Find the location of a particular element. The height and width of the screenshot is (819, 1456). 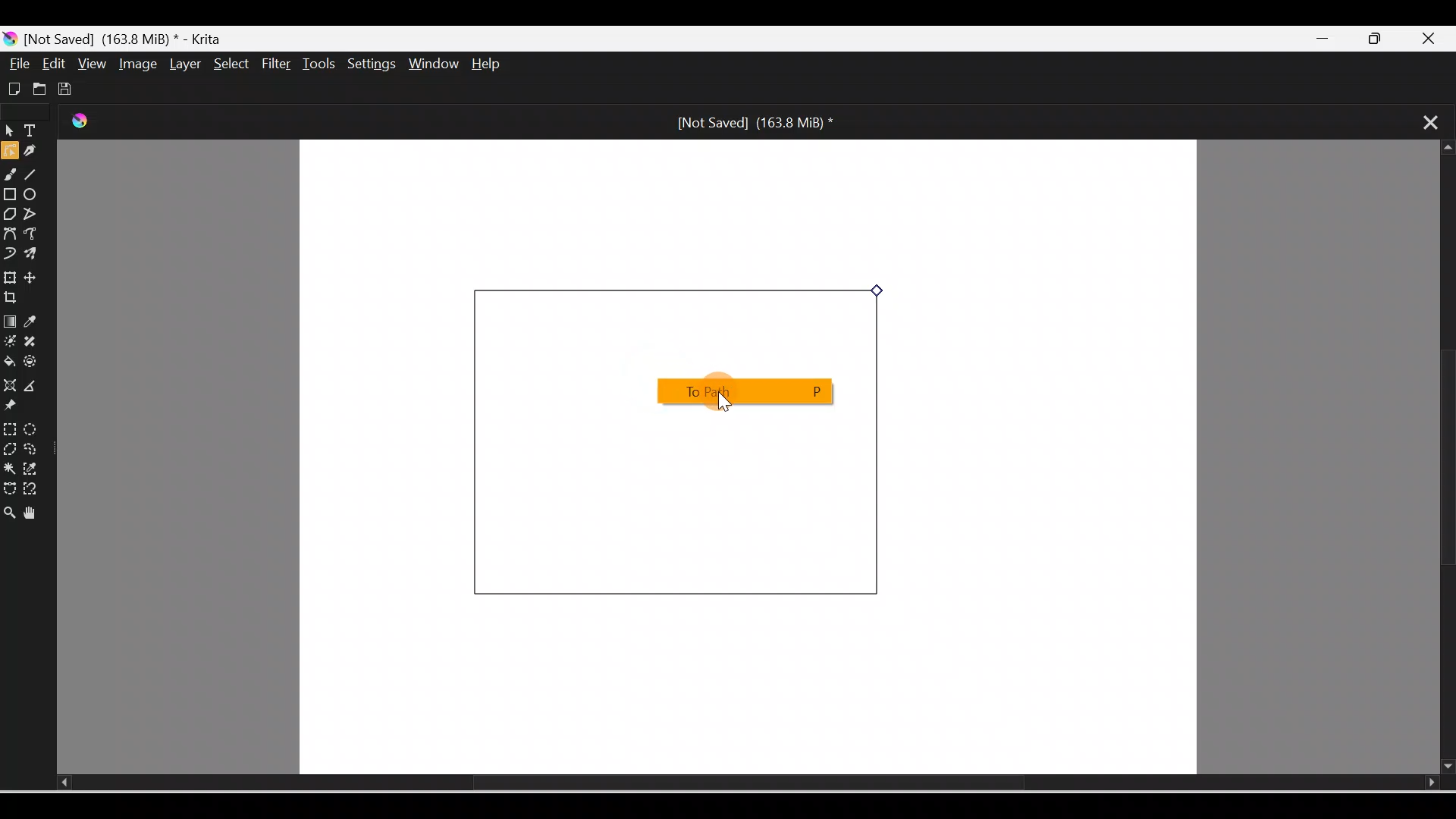

Open existing document is located at coordinates (37, 89).